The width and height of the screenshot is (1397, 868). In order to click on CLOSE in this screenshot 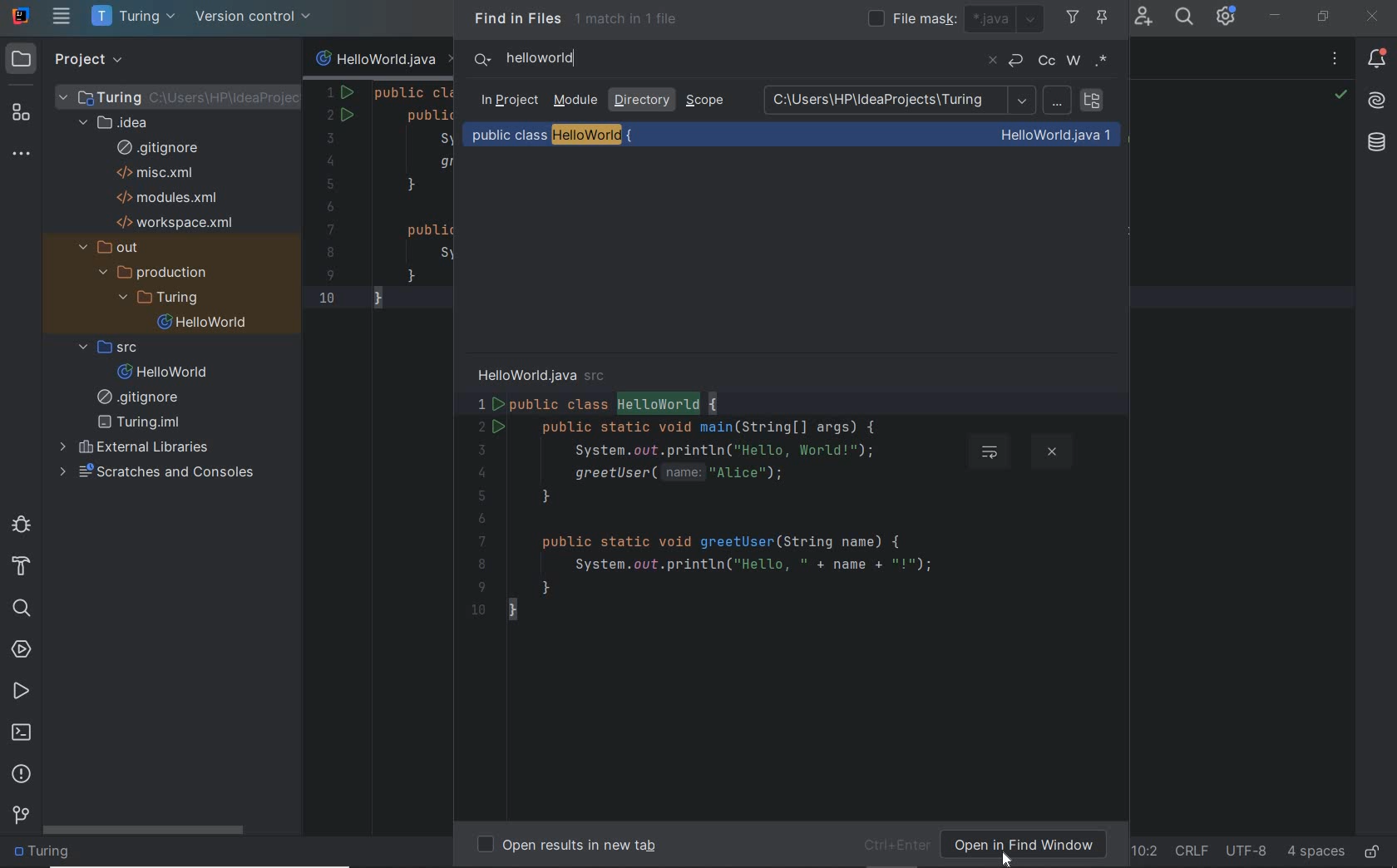, I will do `click(1374, 17)`.